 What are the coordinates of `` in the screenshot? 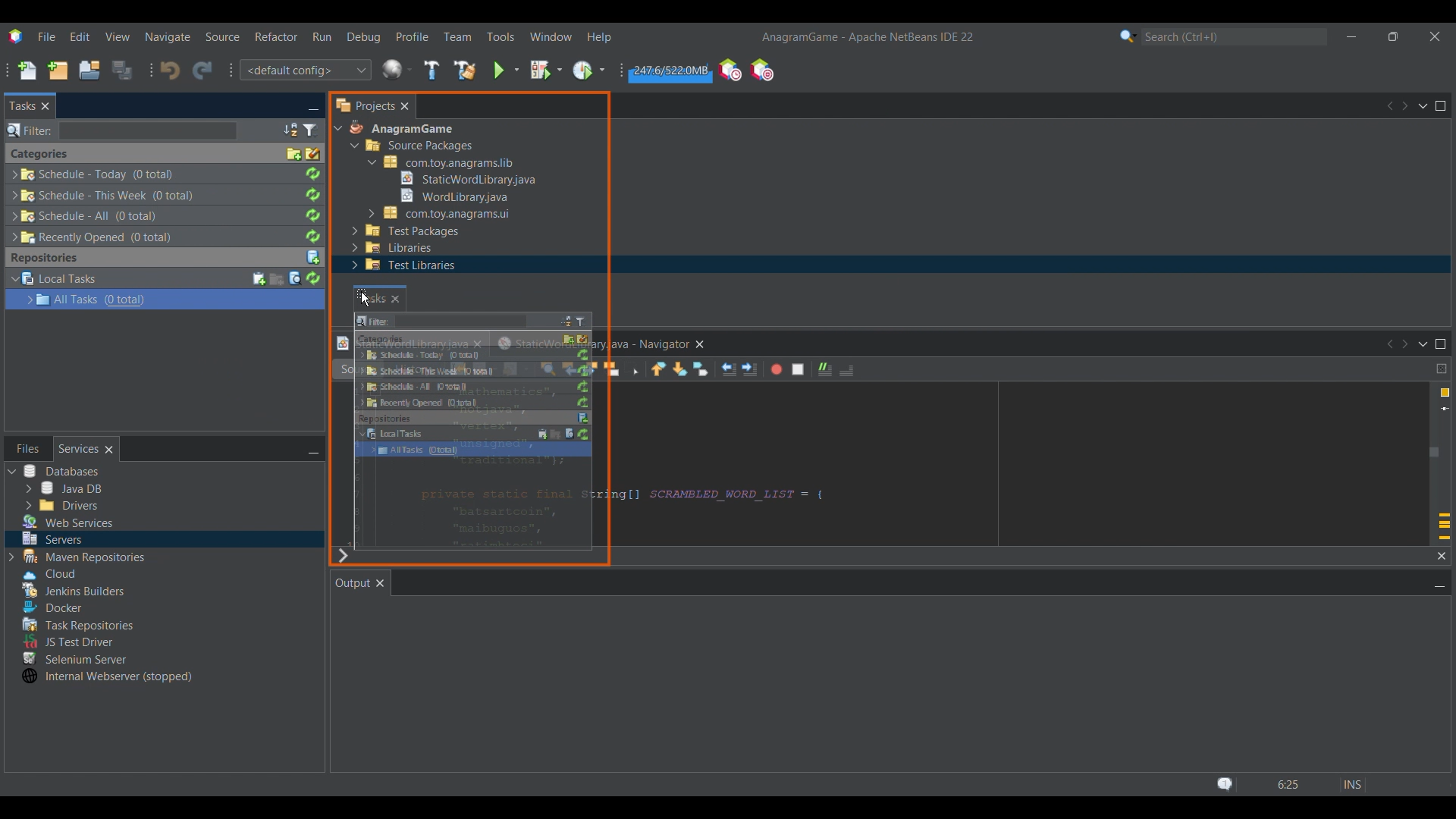 It's located at (70, 641).